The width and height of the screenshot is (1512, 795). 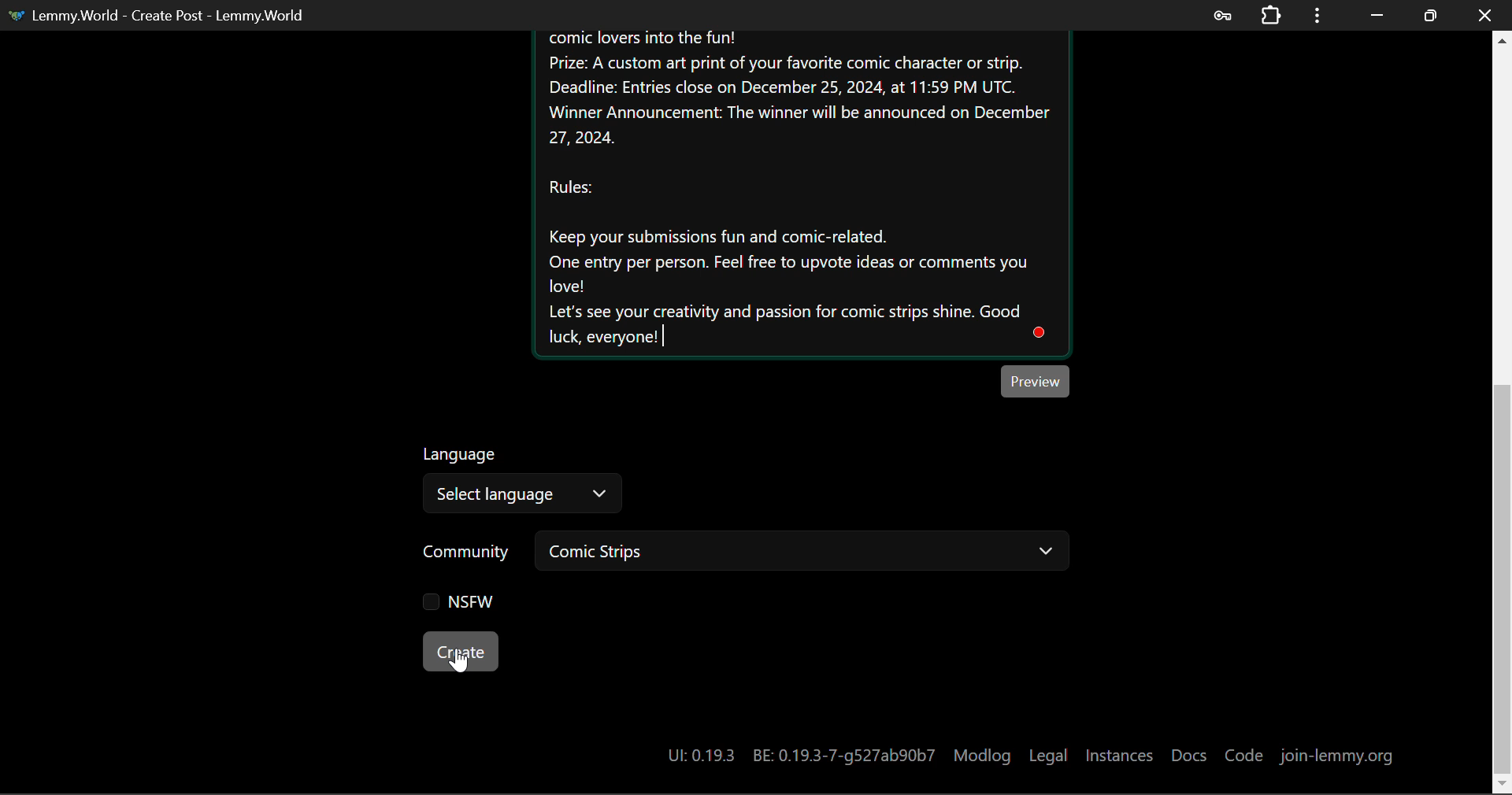 What do you see at coordinates (458, 603) in the screenshot?
I see `NSFW` at bounding box center [458, 603].